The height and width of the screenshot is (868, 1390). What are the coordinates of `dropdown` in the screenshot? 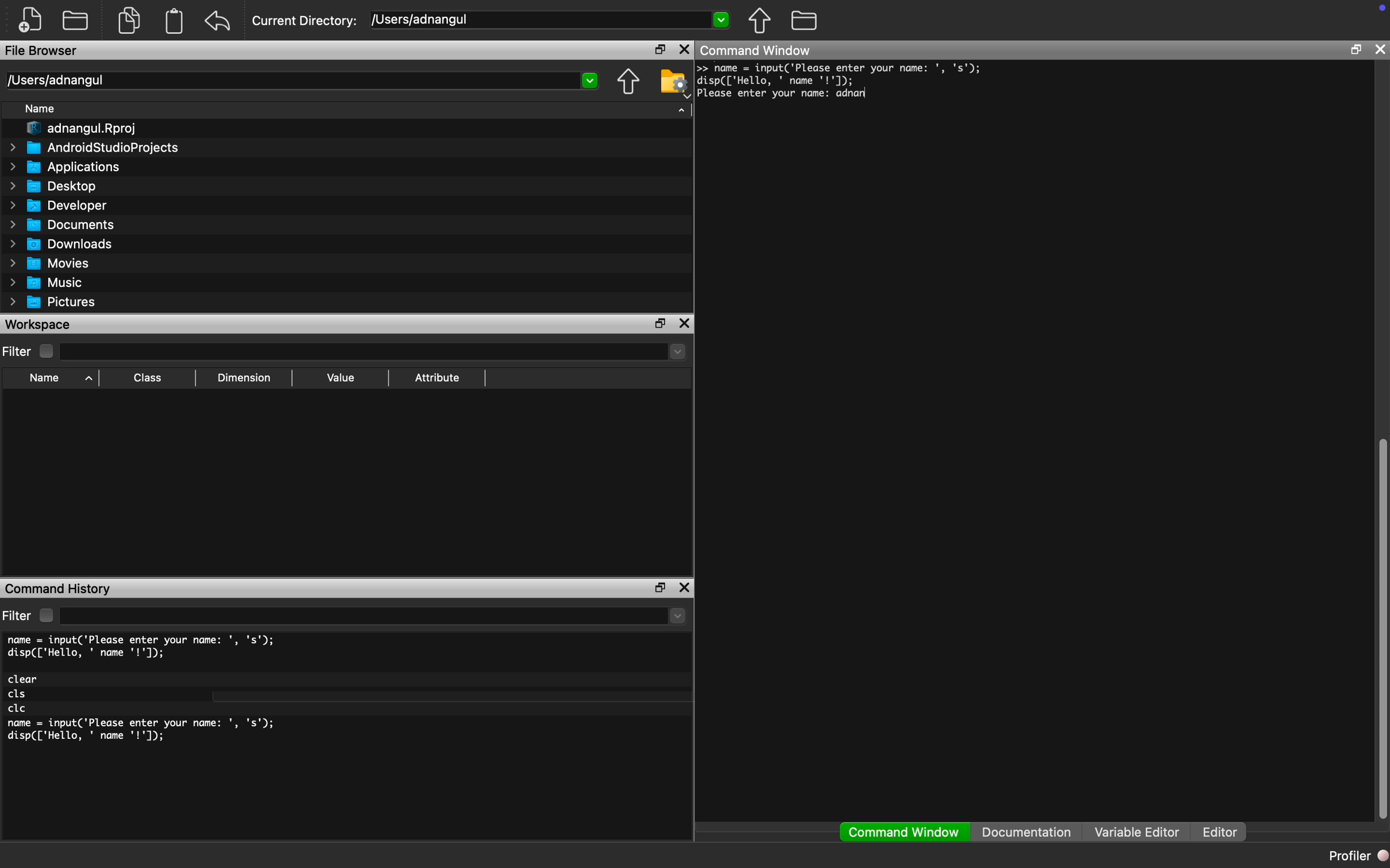 It's located at (675, 351).